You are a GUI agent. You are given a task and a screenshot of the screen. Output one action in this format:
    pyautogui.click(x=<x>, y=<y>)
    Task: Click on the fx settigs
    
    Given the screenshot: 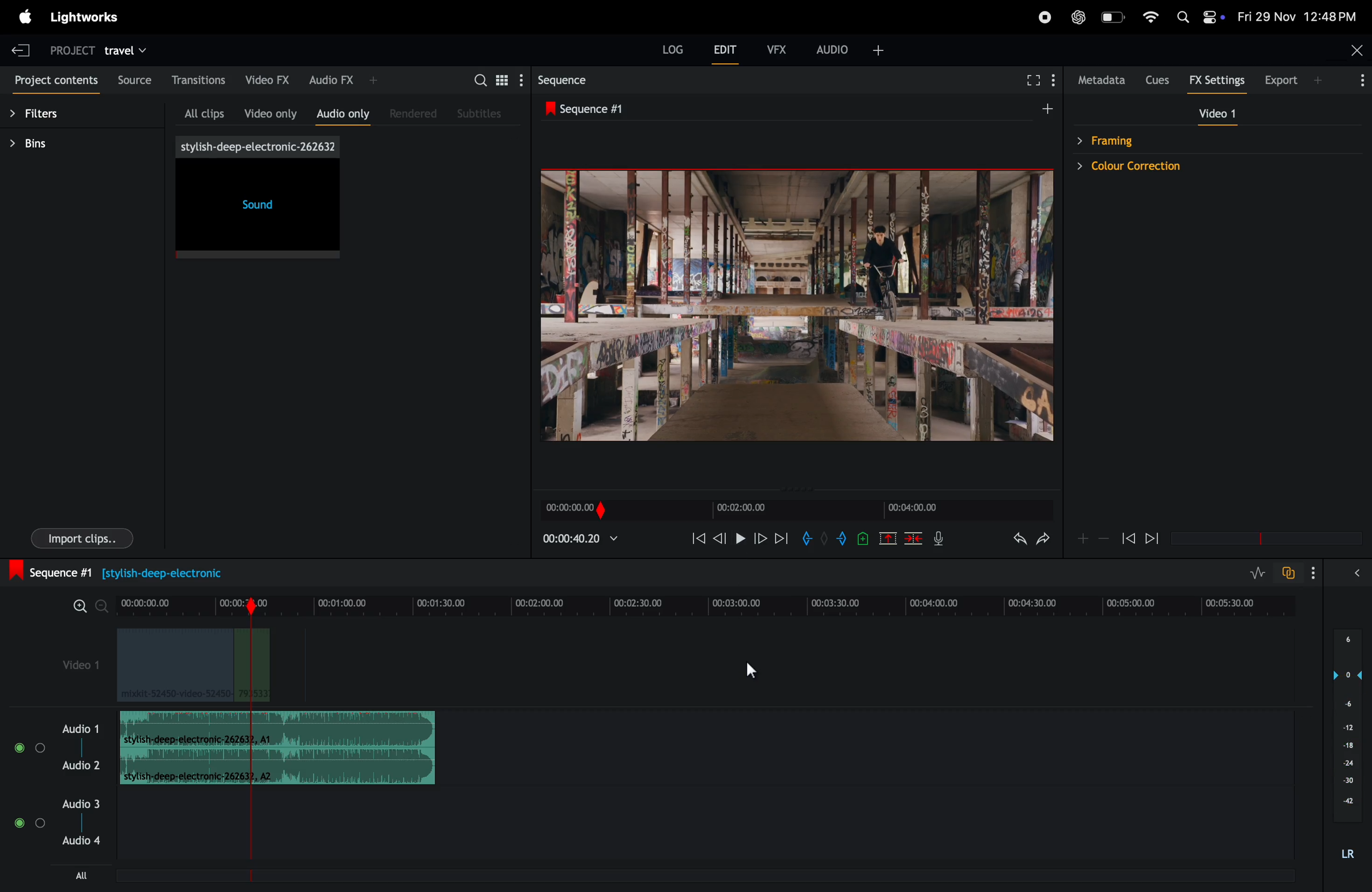 What is the action you would take?
    pyautogui.click(x=1219, y=81)
    